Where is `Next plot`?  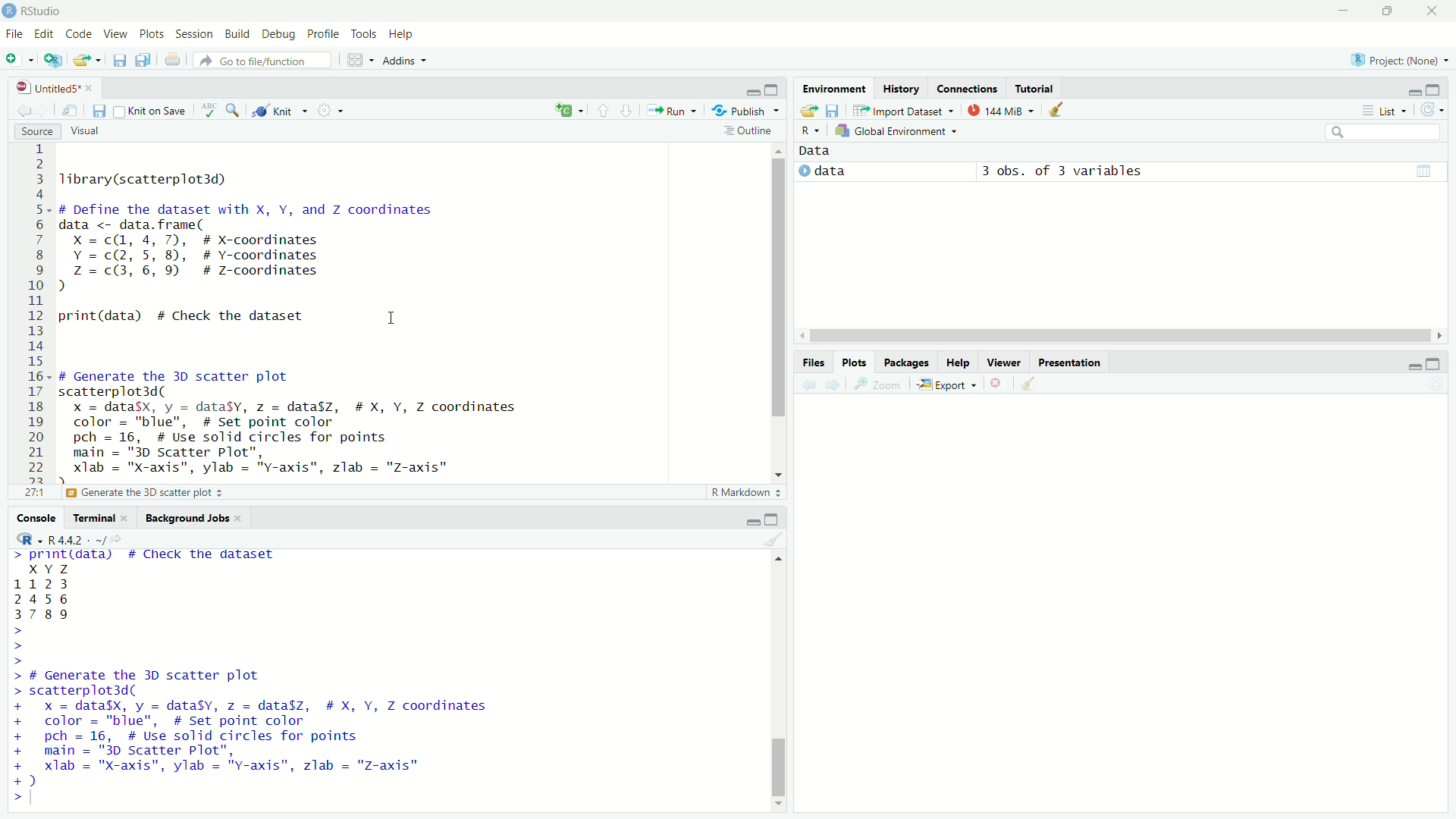
Next plot is located at coordinates (831, 388).